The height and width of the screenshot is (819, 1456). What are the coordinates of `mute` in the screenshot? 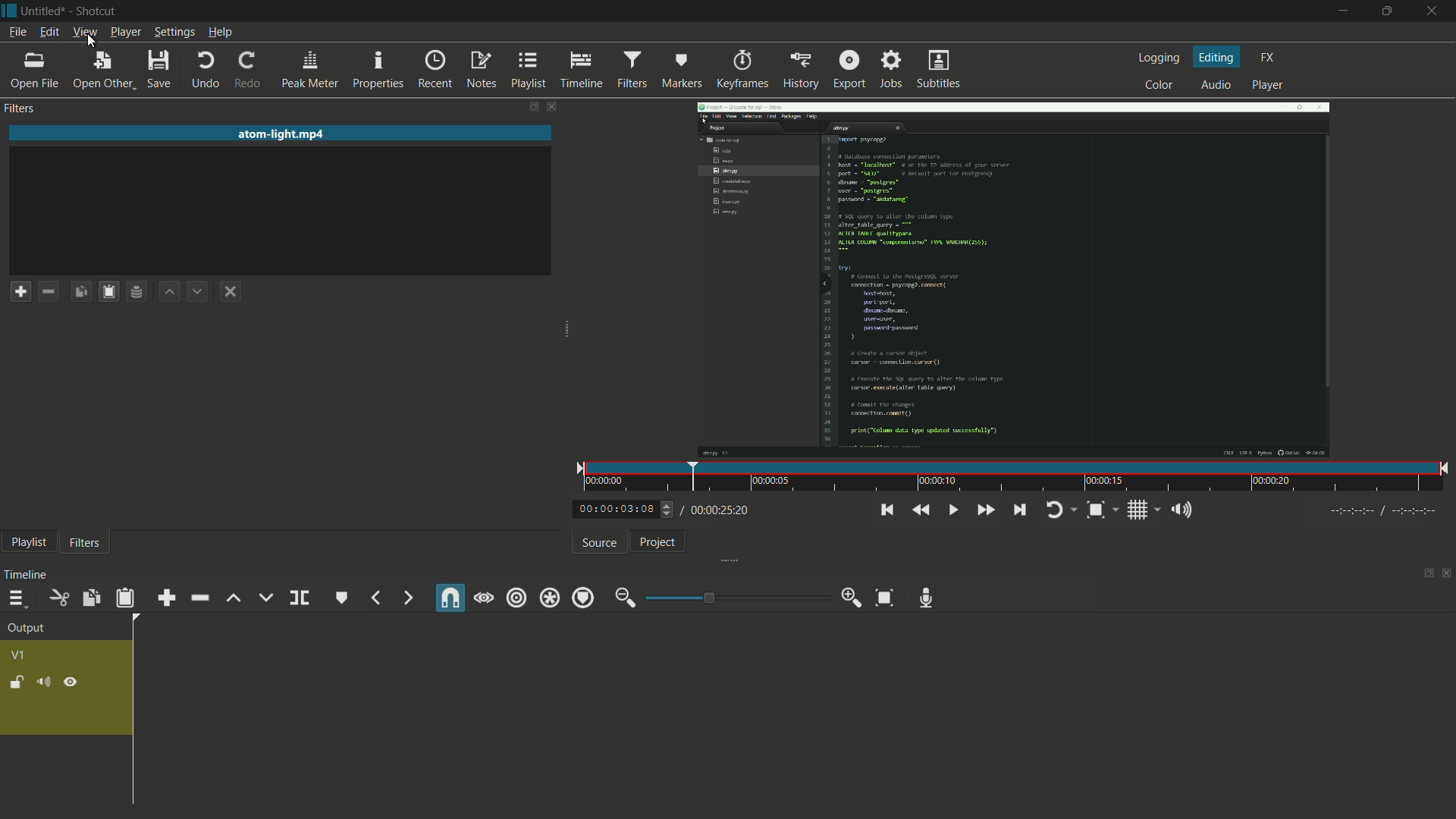 It's located at (42, 681).